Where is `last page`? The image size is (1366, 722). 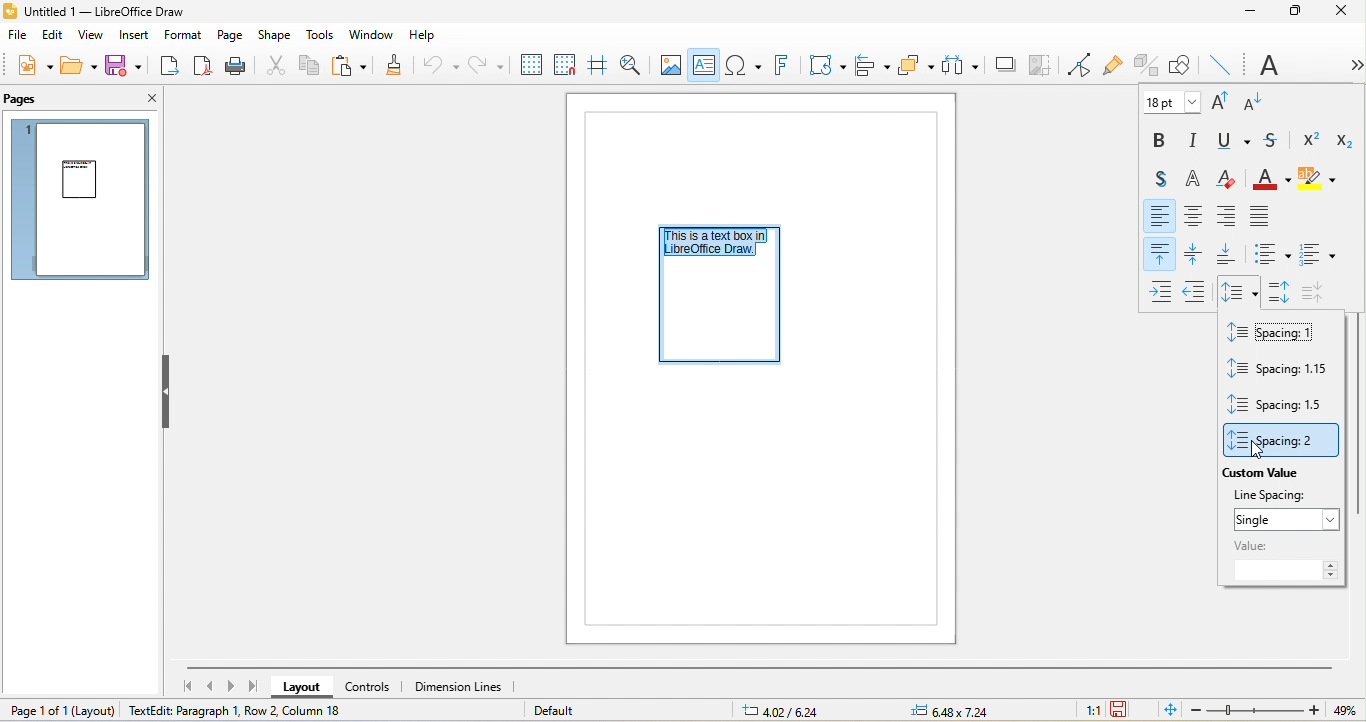 last page is located at coordinates (253, 686).